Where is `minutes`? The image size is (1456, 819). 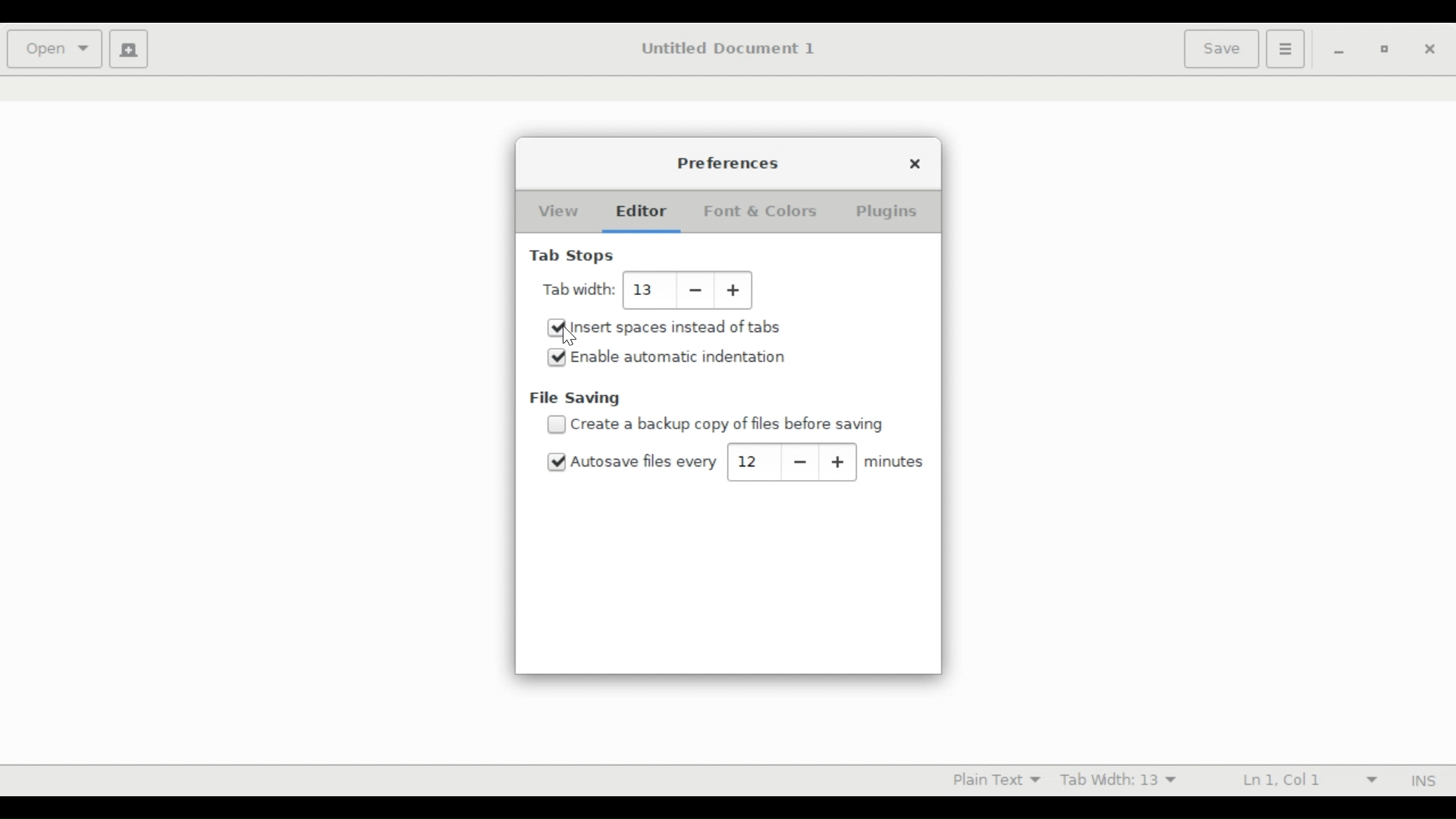
minutes is located at coordinates (895, 462).